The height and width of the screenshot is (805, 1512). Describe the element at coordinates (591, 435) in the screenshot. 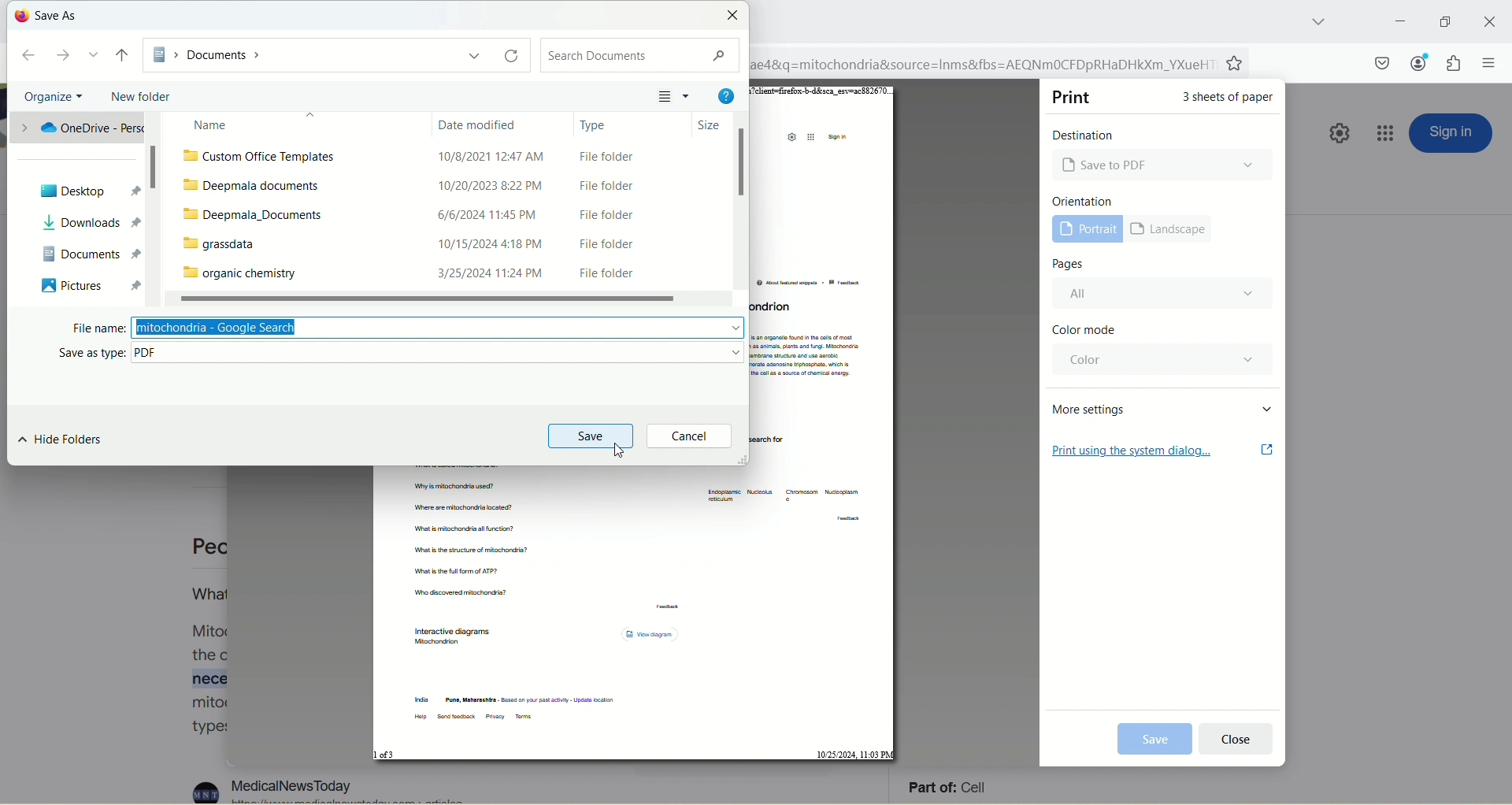

I see `save` at that location.